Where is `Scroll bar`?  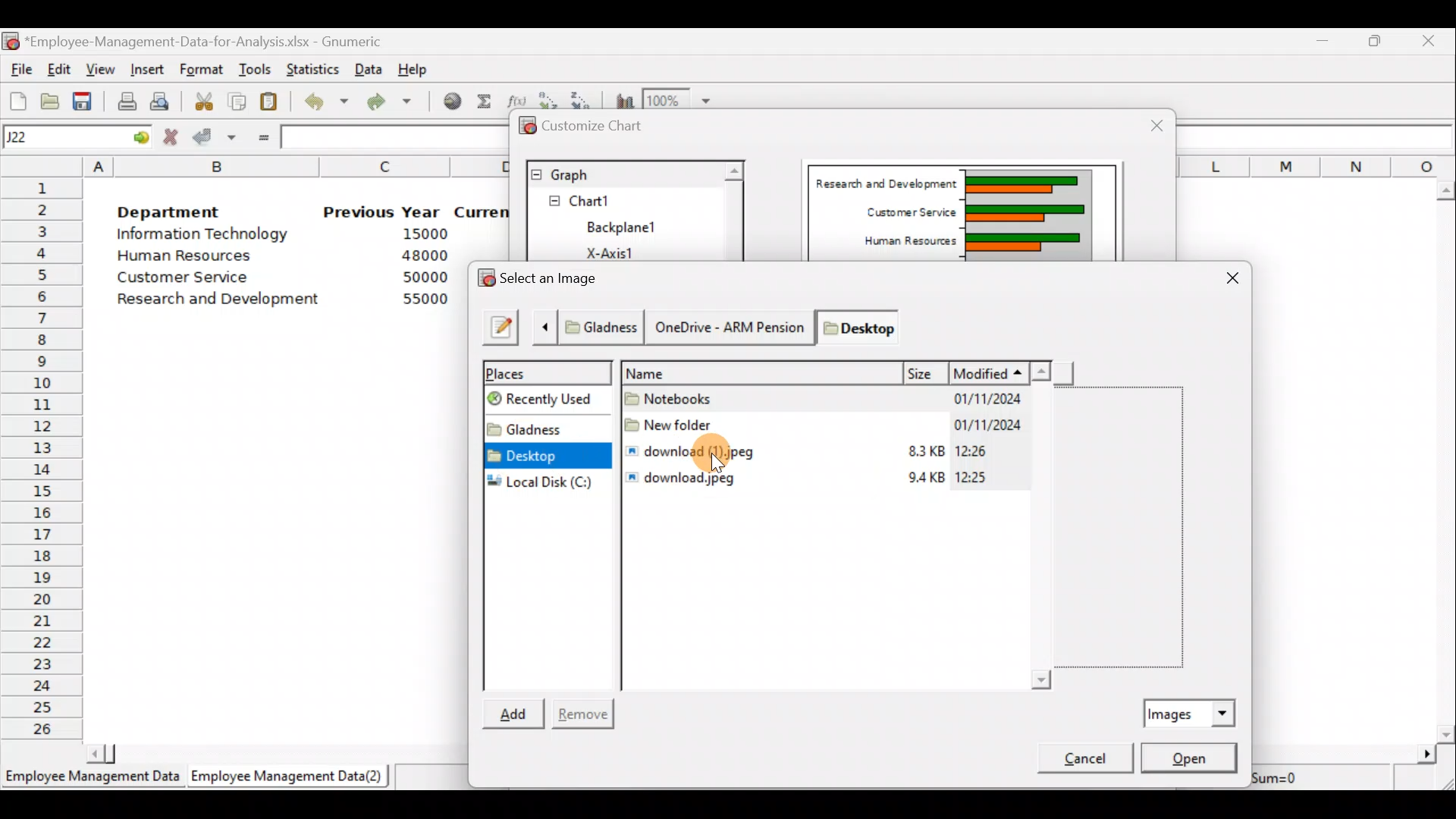
Scroll bar is located at coordinates (733, 210).